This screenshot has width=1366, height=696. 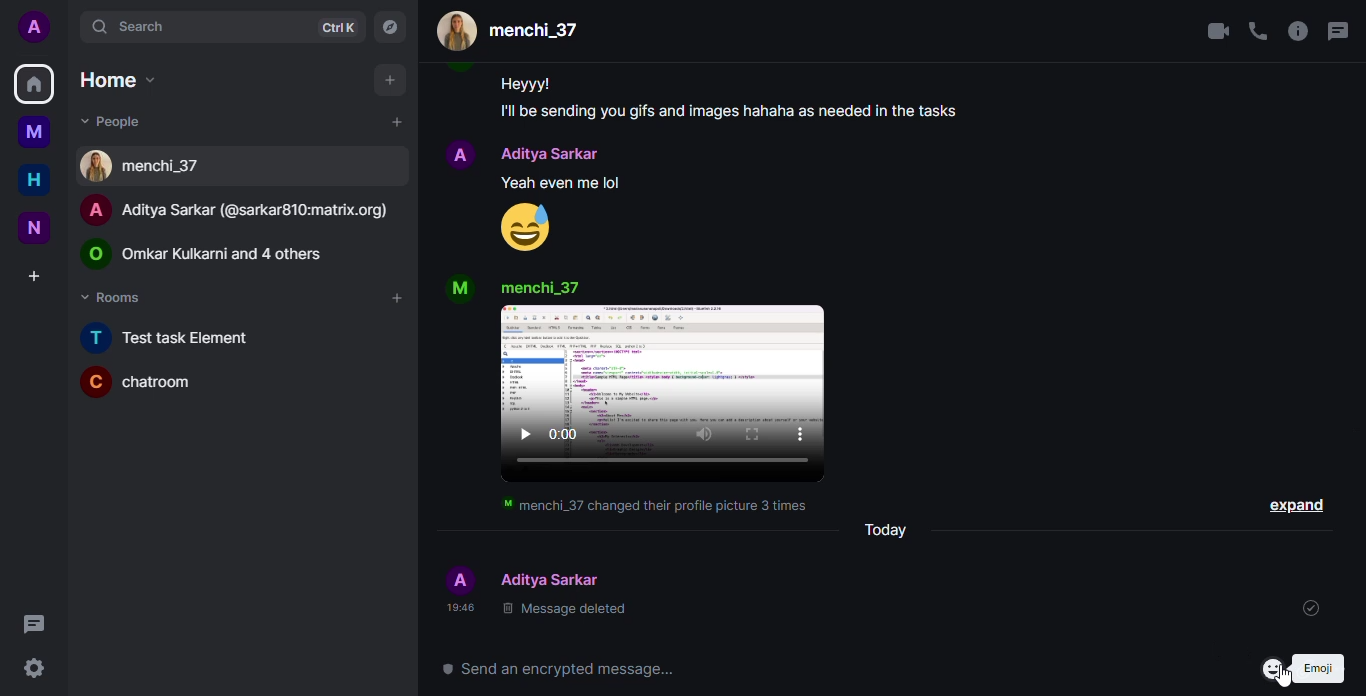 What do you see at coordinates (35, 273) in the screenshot?
I see `create a space` at bounding box center [35, 273].